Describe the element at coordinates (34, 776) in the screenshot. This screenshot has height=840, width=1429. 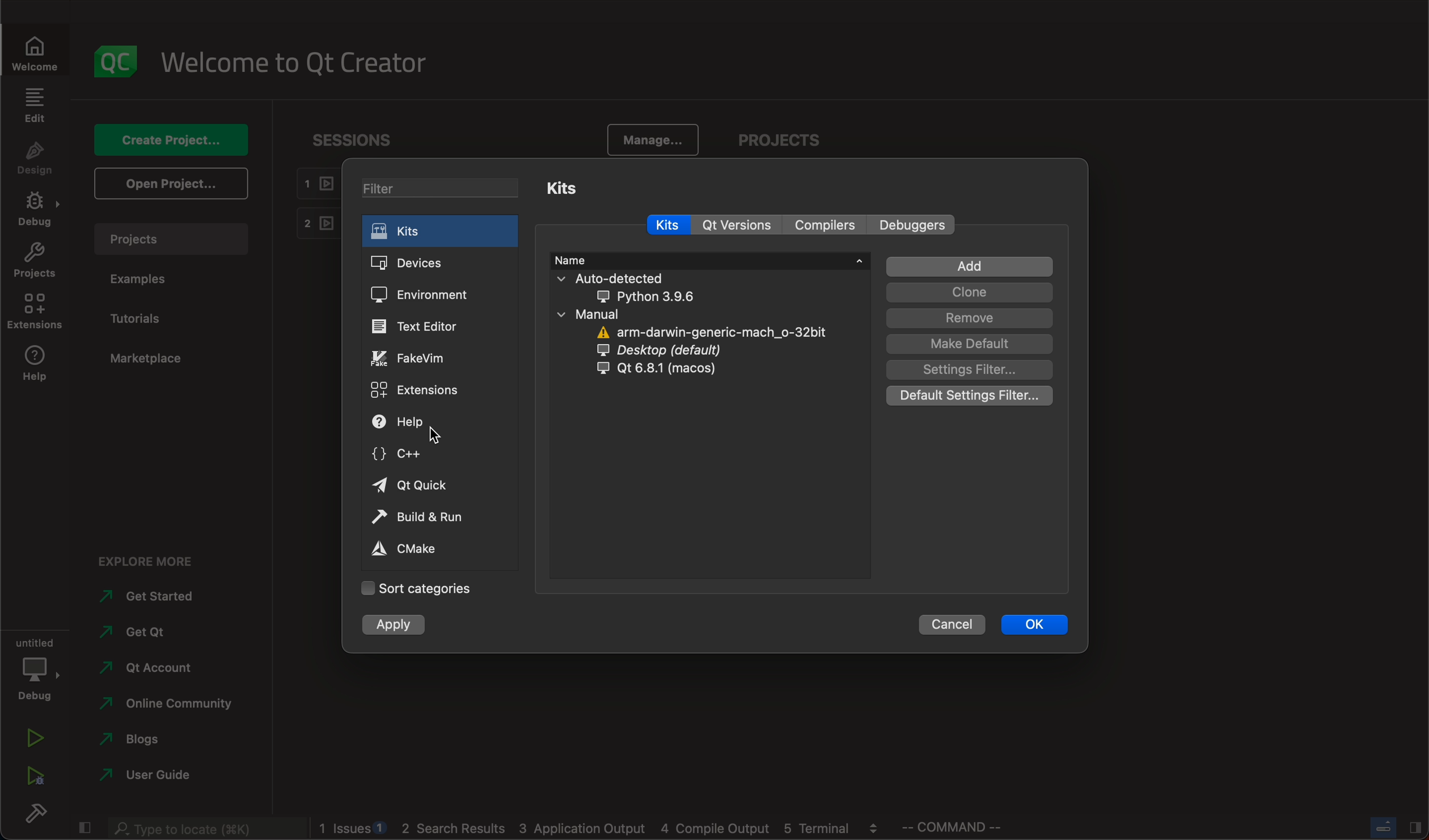
I see `run debug` at that location.